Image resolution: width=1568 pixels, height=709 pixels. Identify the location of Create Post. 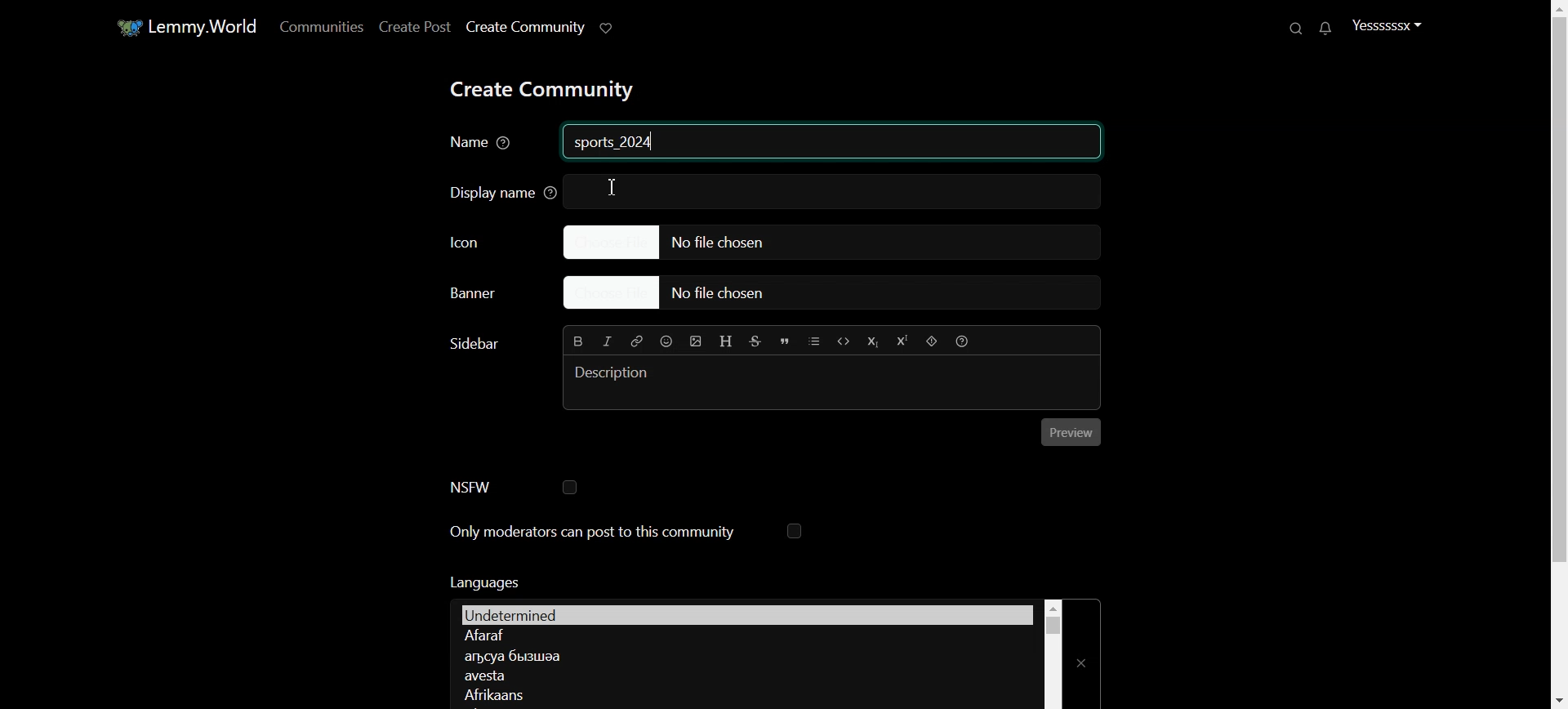
(413, 26).